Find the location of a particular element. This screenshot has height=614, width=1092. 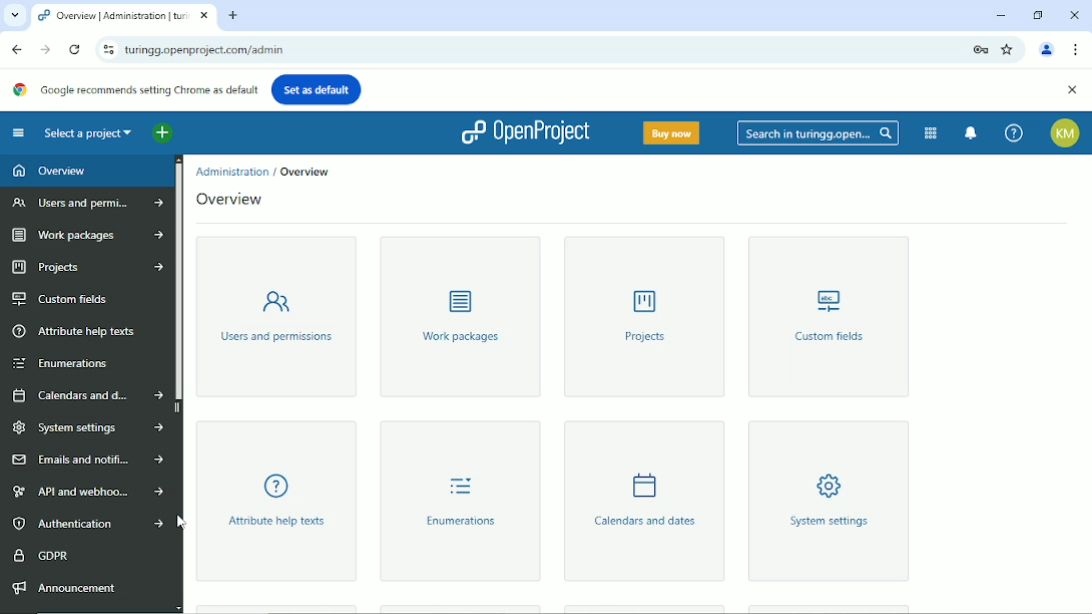

System settings is located at coordinates (87, 427).